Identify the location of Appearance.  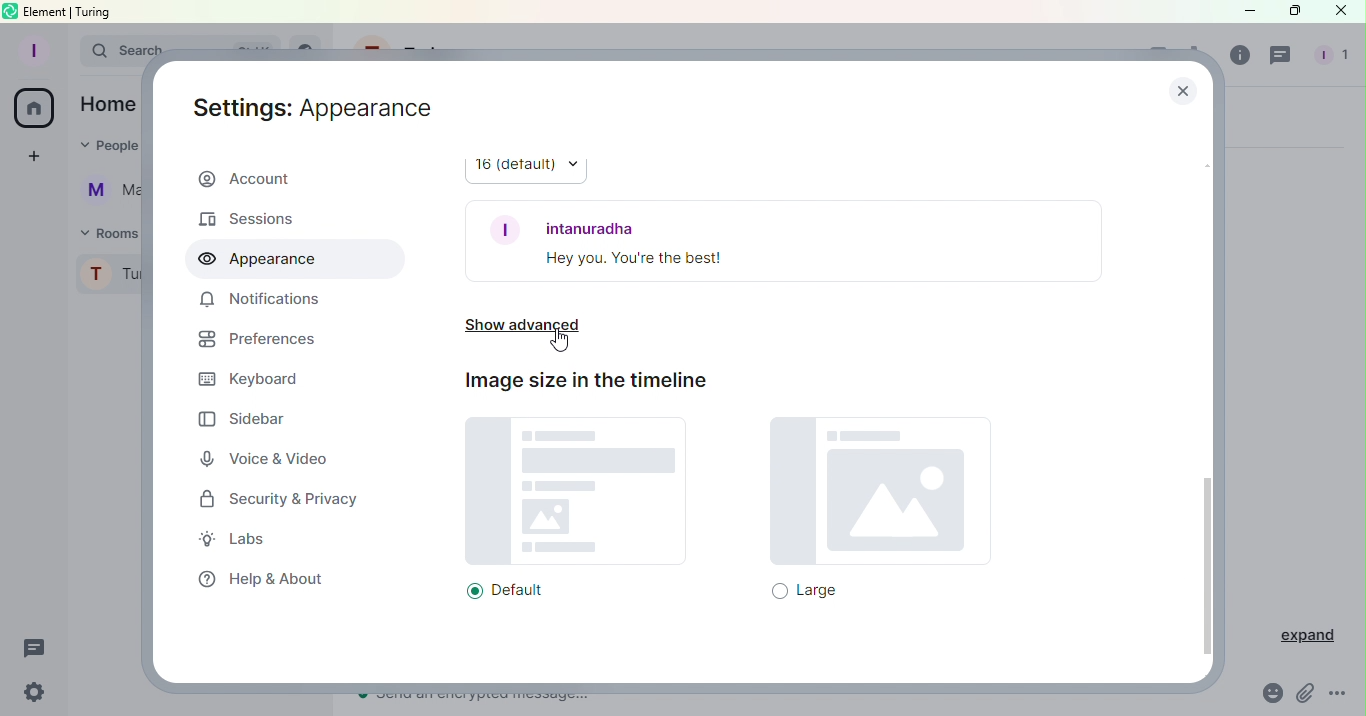
(260, 260).